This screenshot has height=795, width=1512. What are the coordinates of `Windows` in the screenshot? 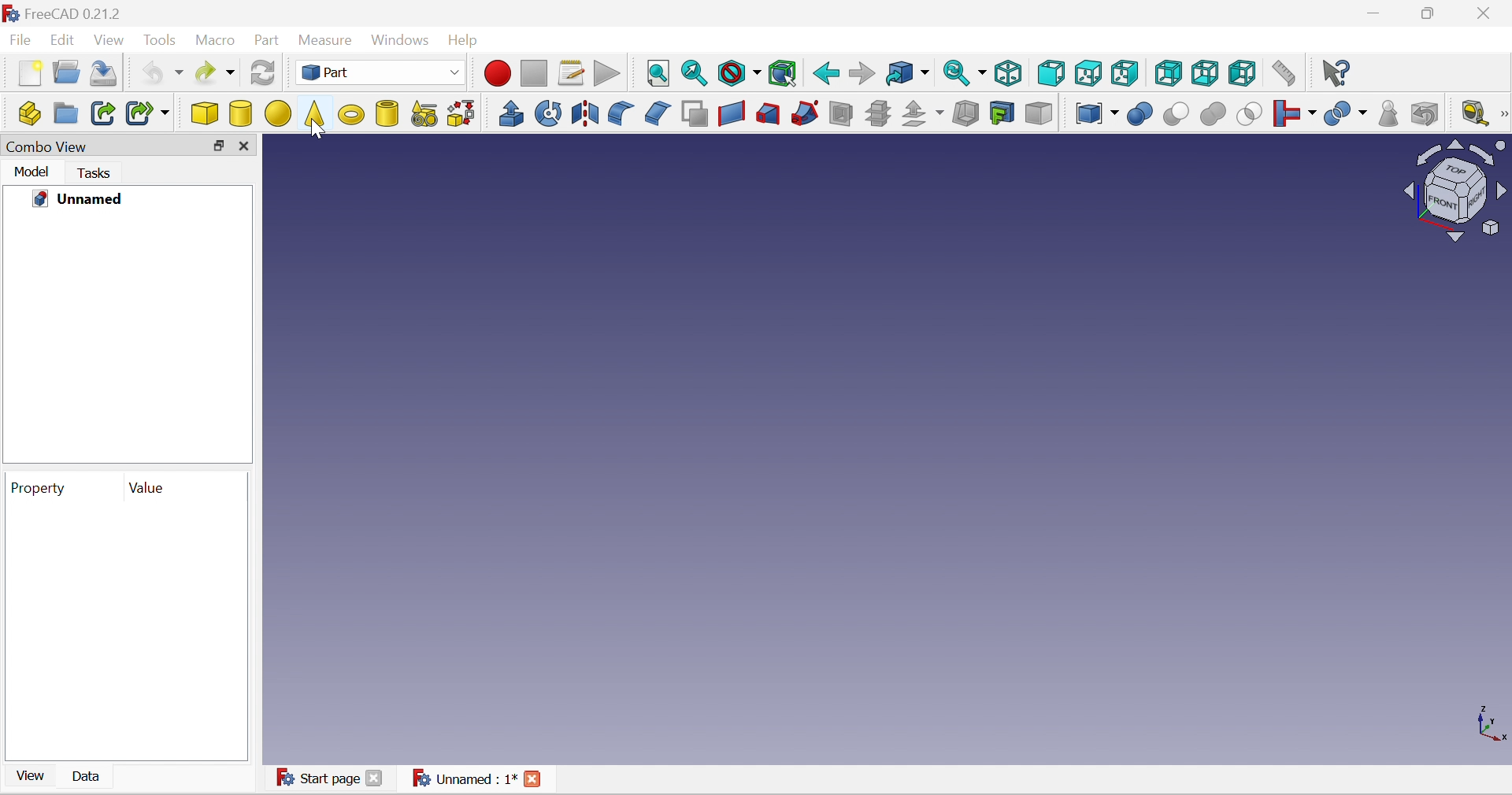 It's located at (400, 39).